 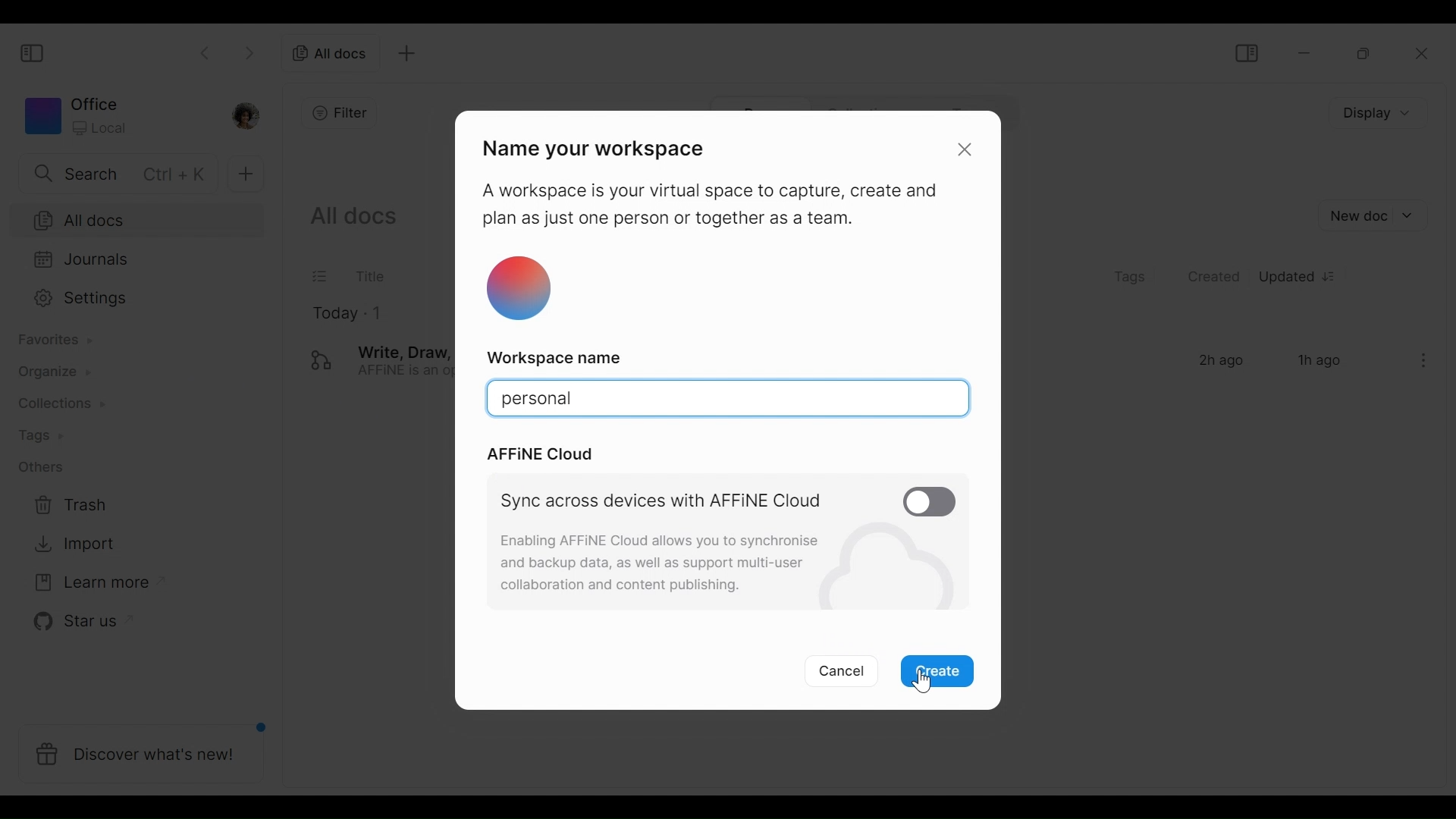 I want to click on Journals, so click(x=128, y=259).